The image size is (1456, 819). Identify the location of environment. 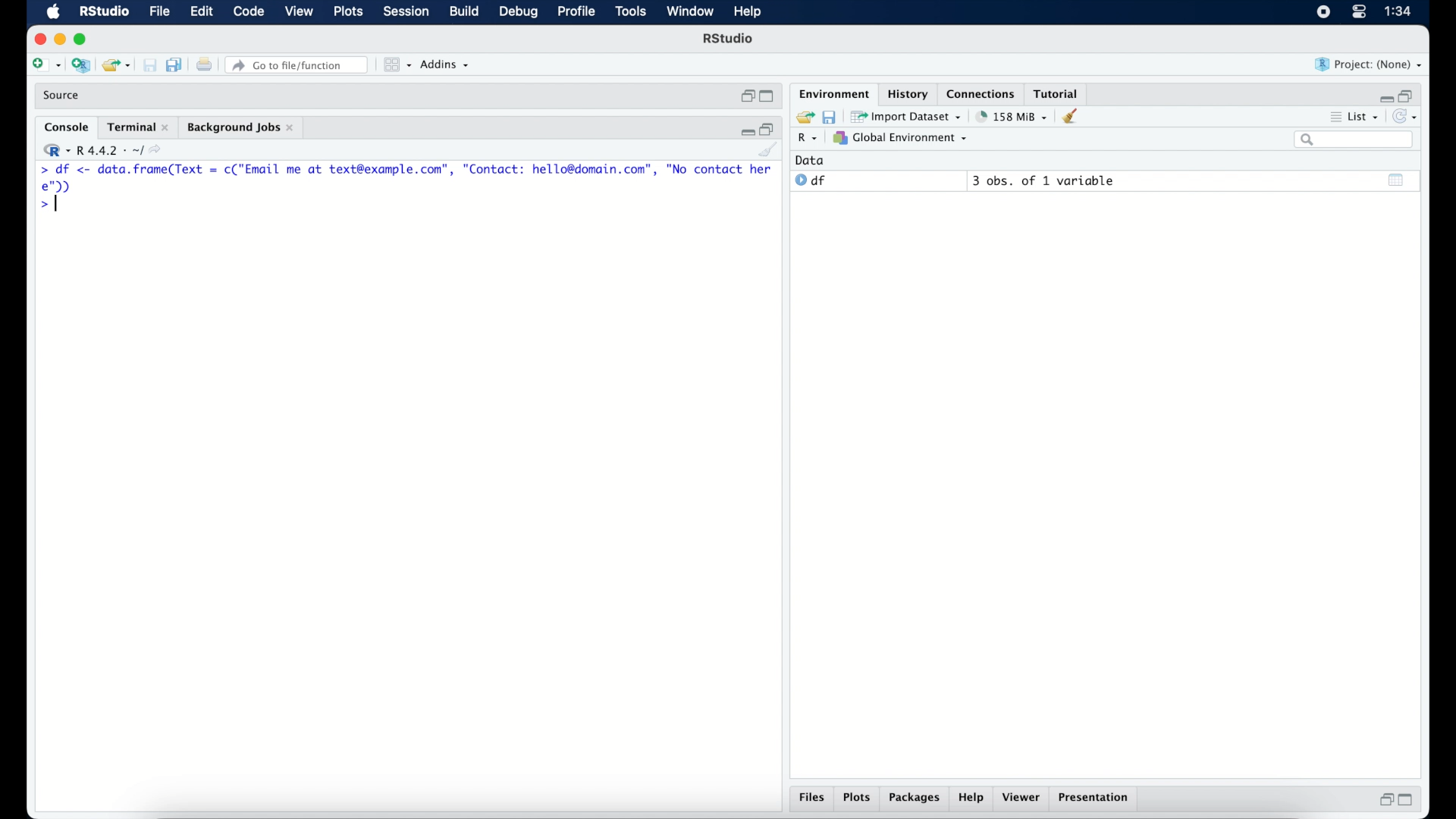
(833, 93).